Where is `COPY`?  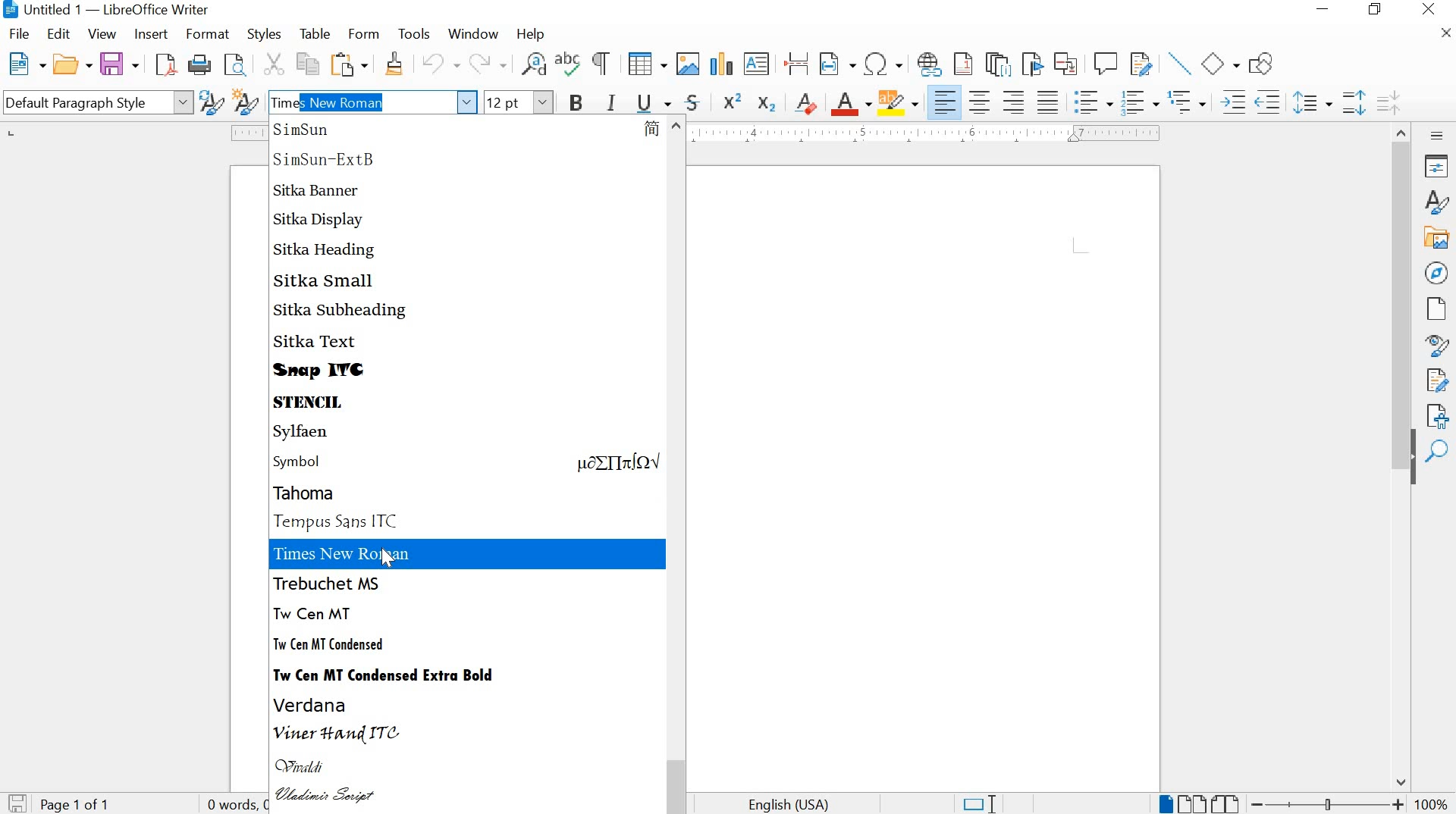
COPY is located at coordinates (309, 64).